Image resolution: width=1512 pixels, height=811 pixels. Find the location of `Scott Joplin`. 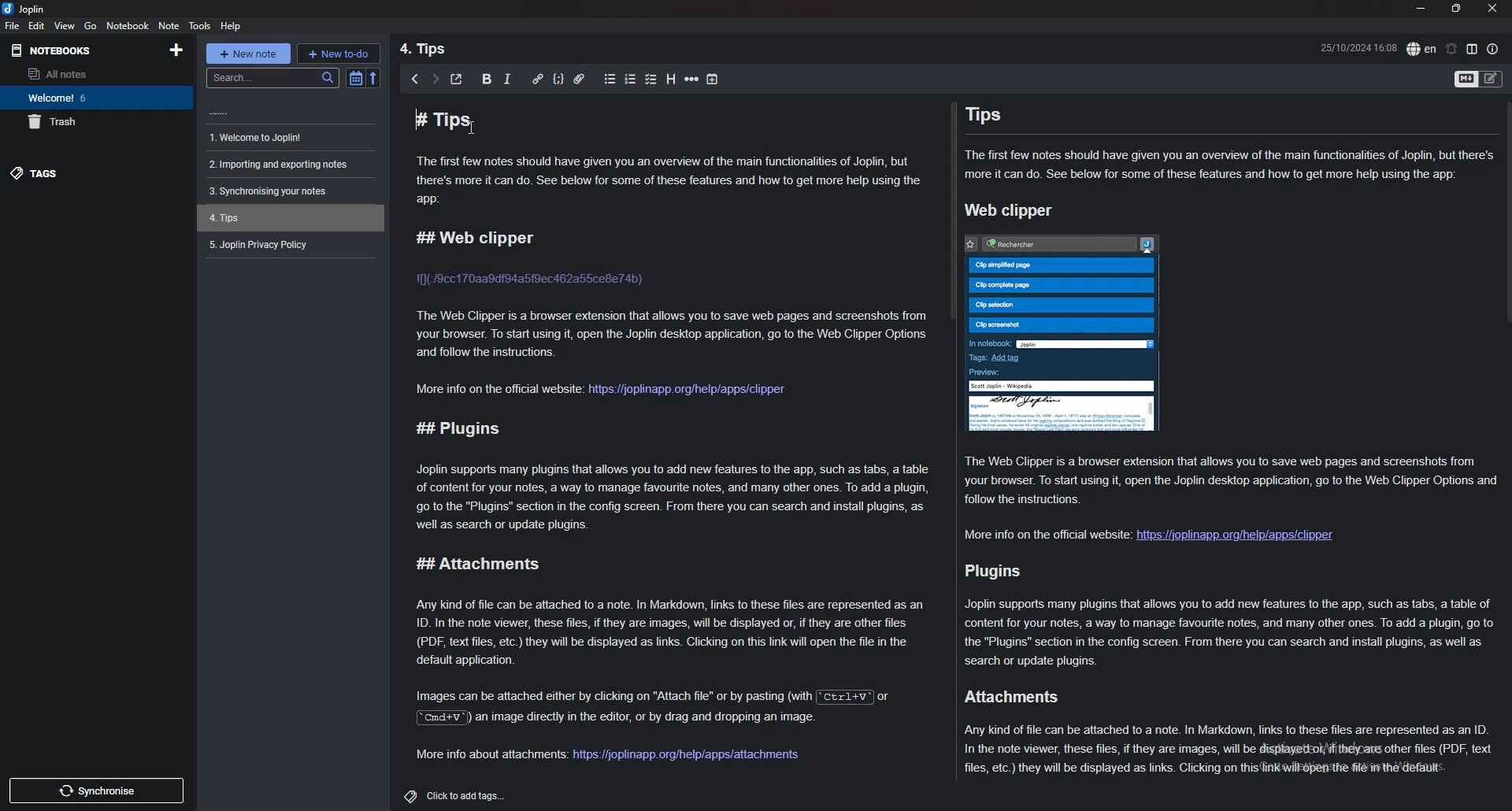

Scott Joplin is located at coordinates (1064, 385).